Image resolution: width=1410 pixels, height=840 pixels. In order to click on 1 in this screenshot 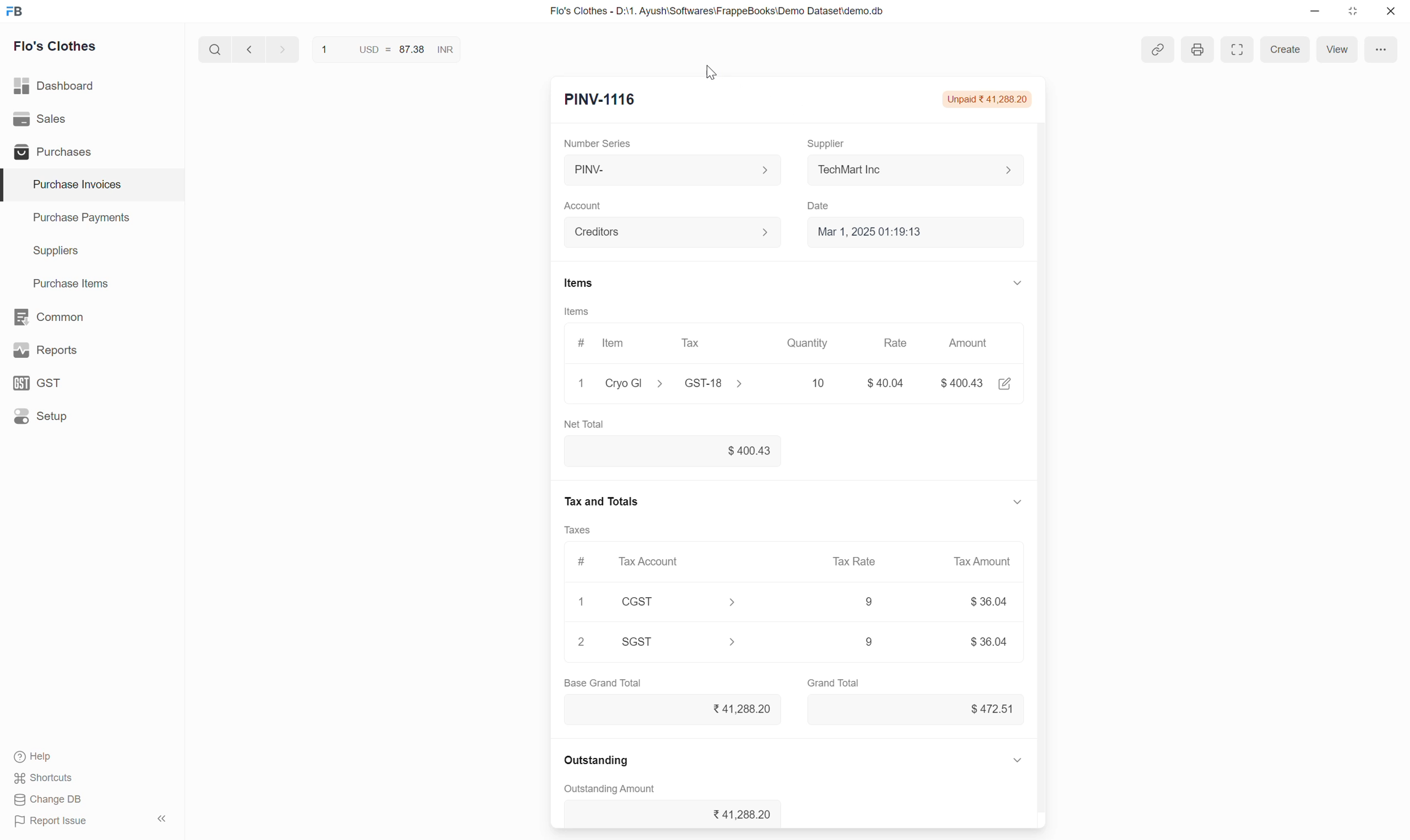, I will do `click(582, 601)`.